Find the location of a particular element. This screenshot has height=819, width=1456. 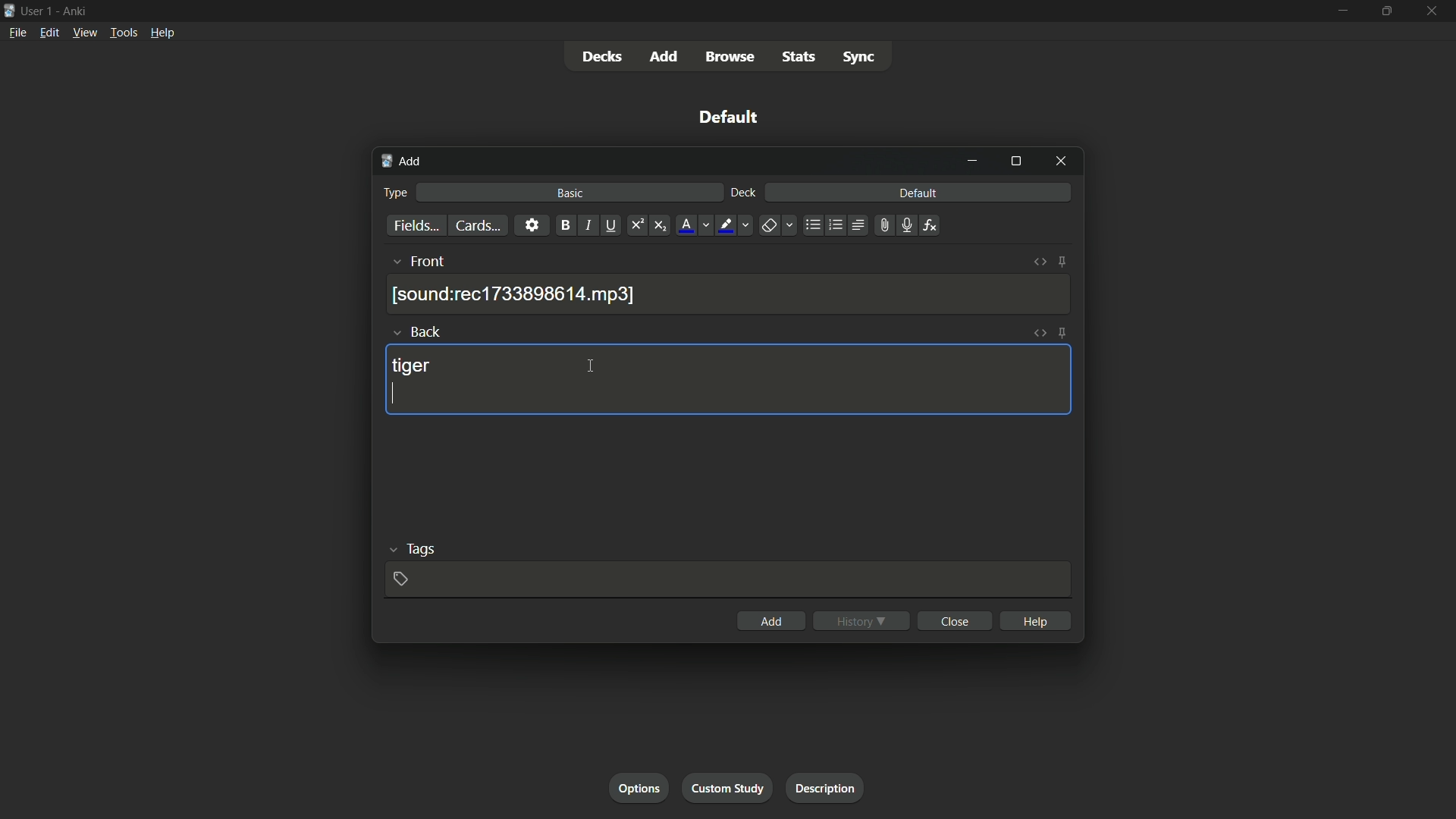

bold is located at coordinates (563, 225).